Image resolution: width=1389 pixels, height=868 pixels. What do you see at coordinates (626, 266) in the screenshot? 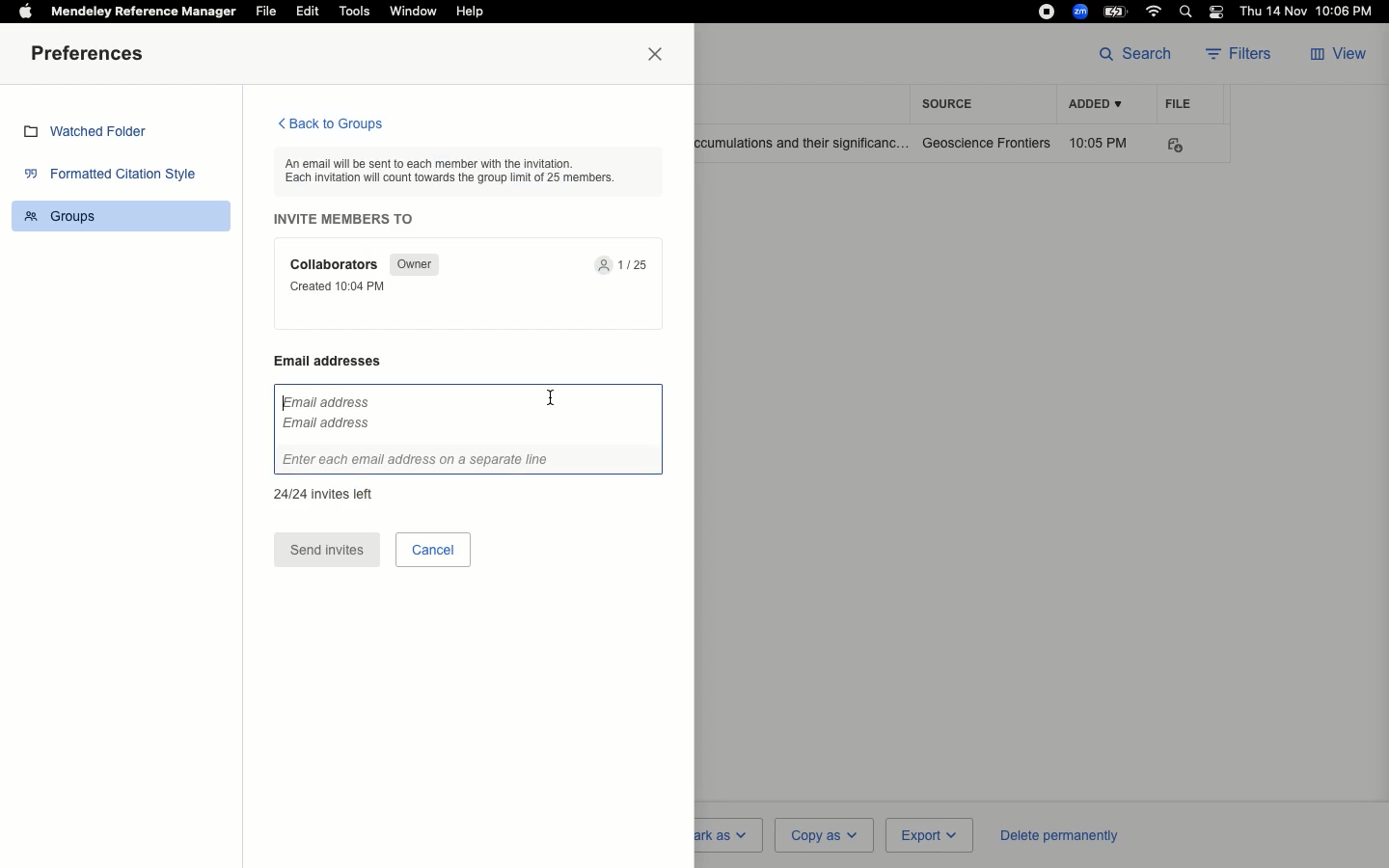
I see `members` at bounding box center [626, 266].